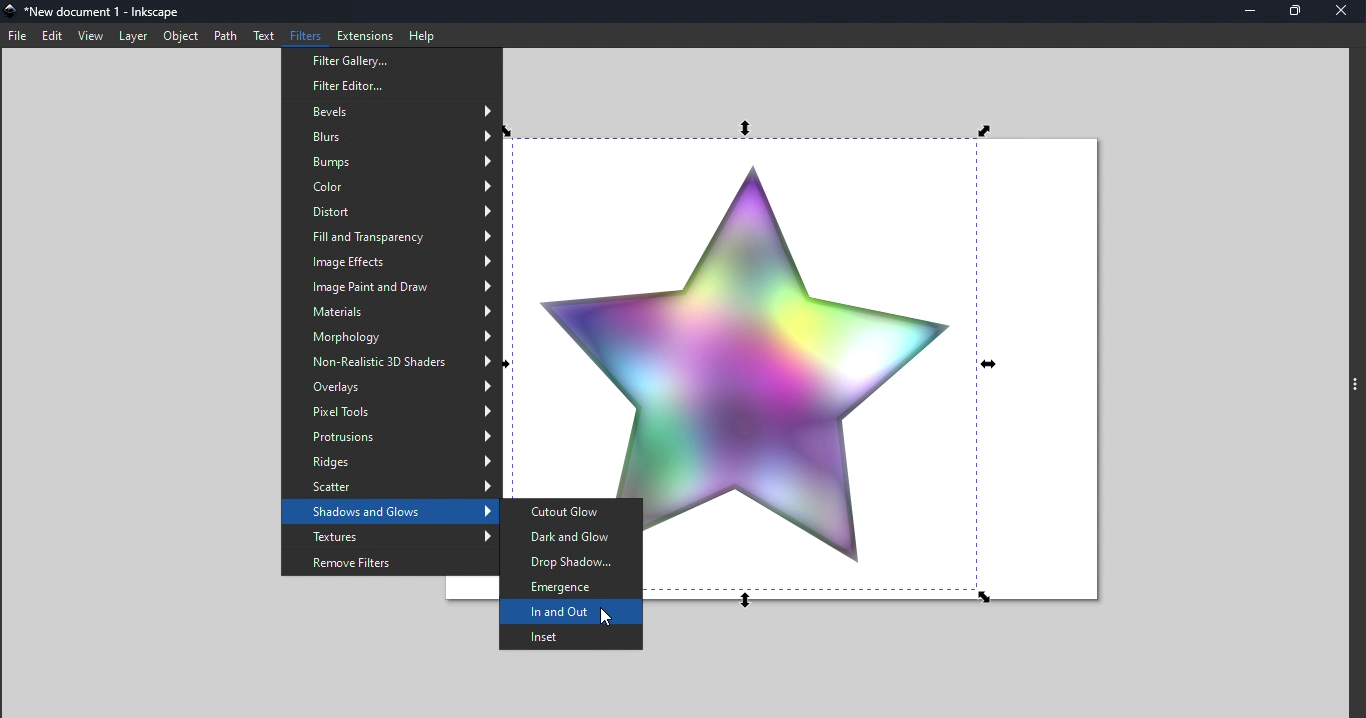  What do you see at coordinates (1343, 11) in the screenshot?
I see `Close` at bounding box center [1343, 11].